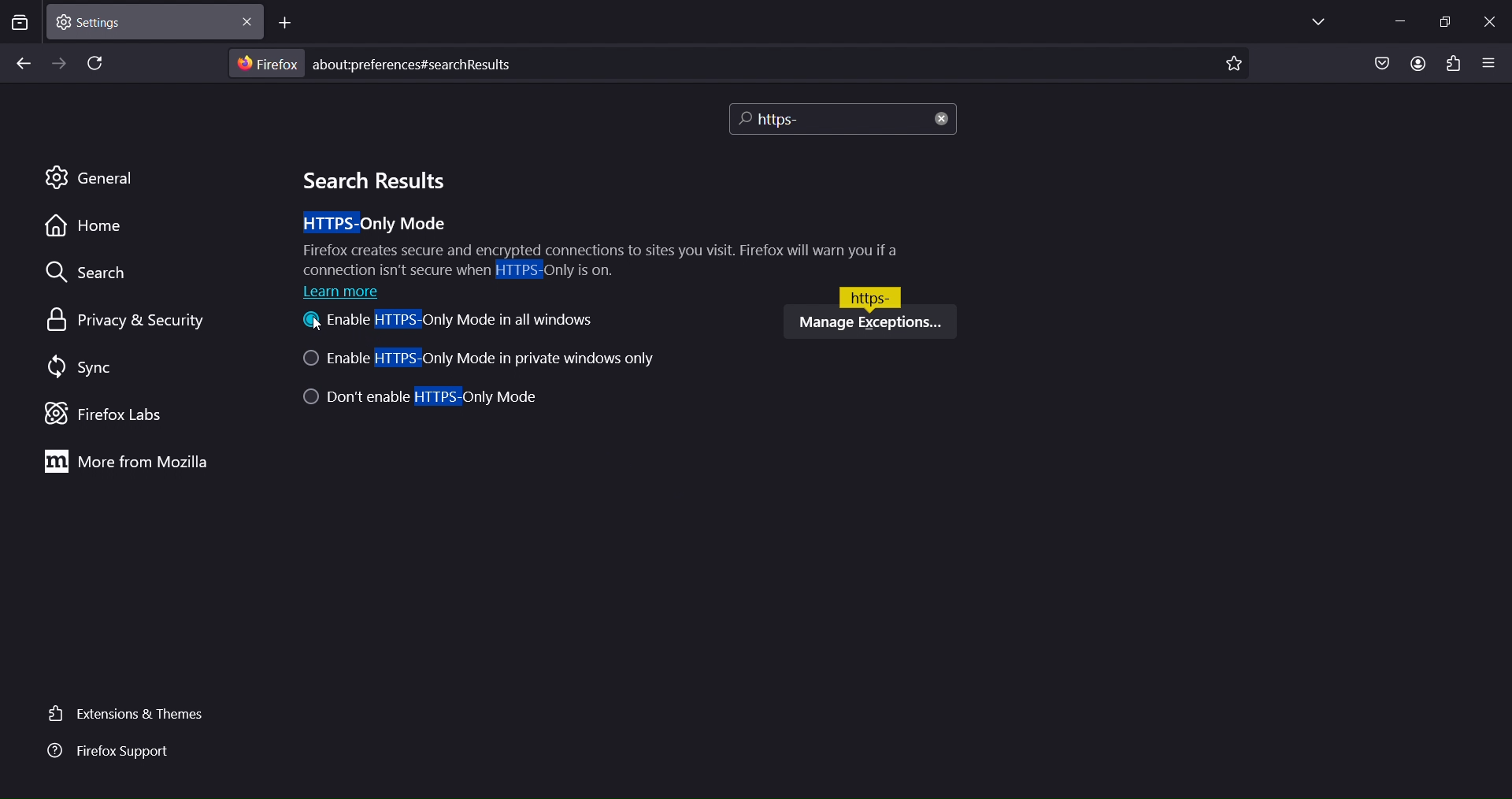  What do you see at coordinates (1447, 22) in the screenshot?
I see `restore down` at bounding box center [1447, 22].